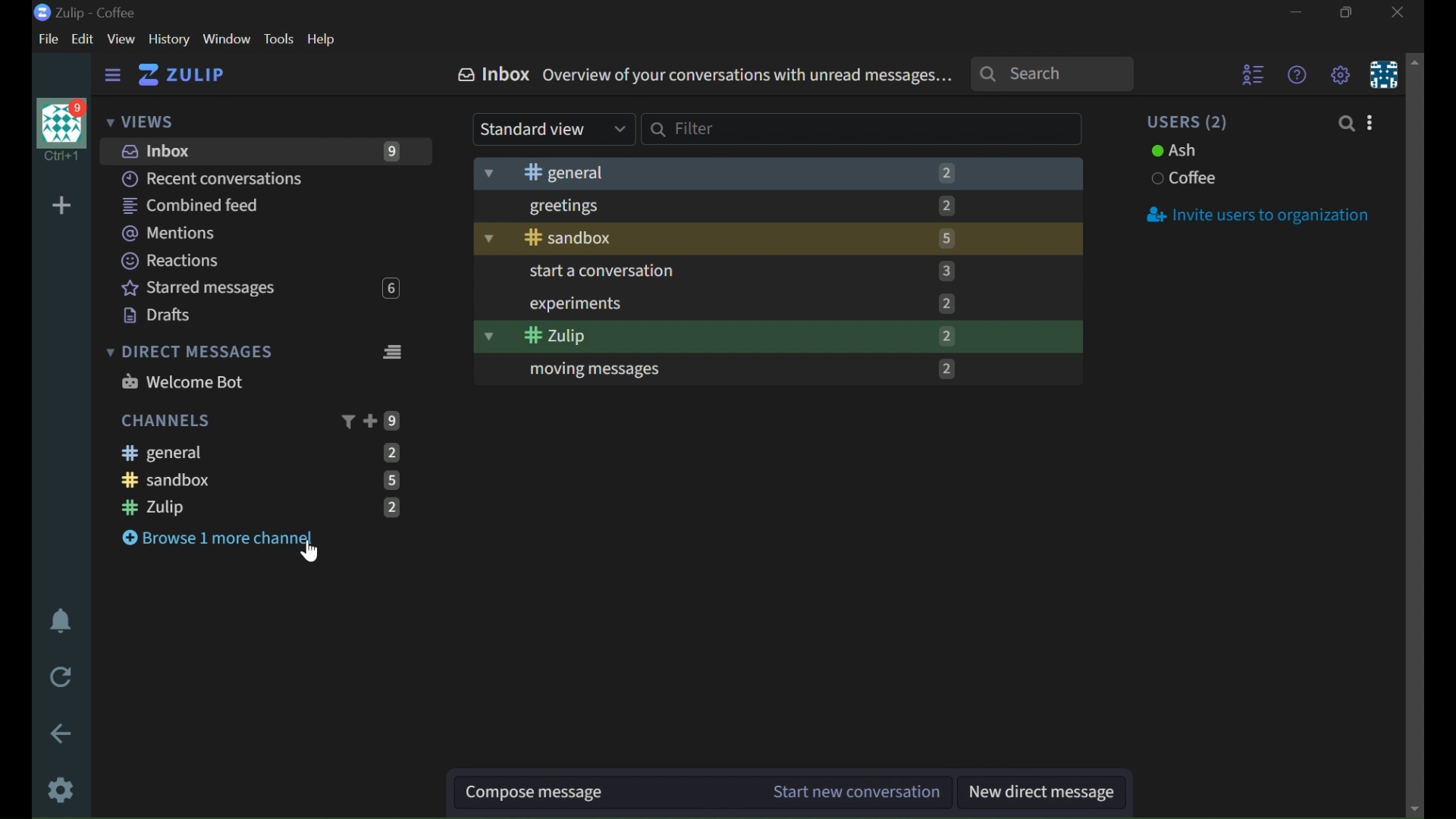  What do you see at coordinates (260, 541) in the screenshot?
I see `BROWSE 1 MORE CHANNEL` at bounding box center [260, 541].